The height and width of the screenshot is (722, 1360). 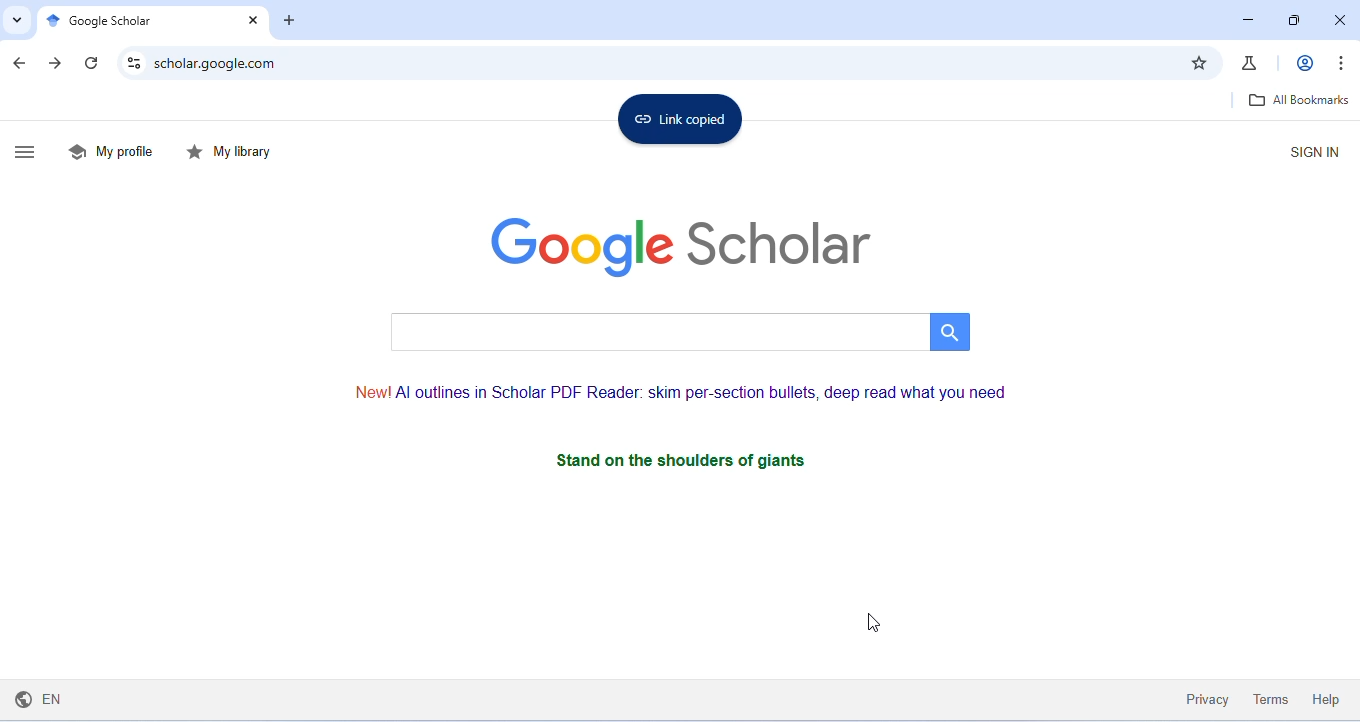 What do you see at coordinates (1336, 20) in the screenshot?
I see `close` at bounding box center [1336, 20].